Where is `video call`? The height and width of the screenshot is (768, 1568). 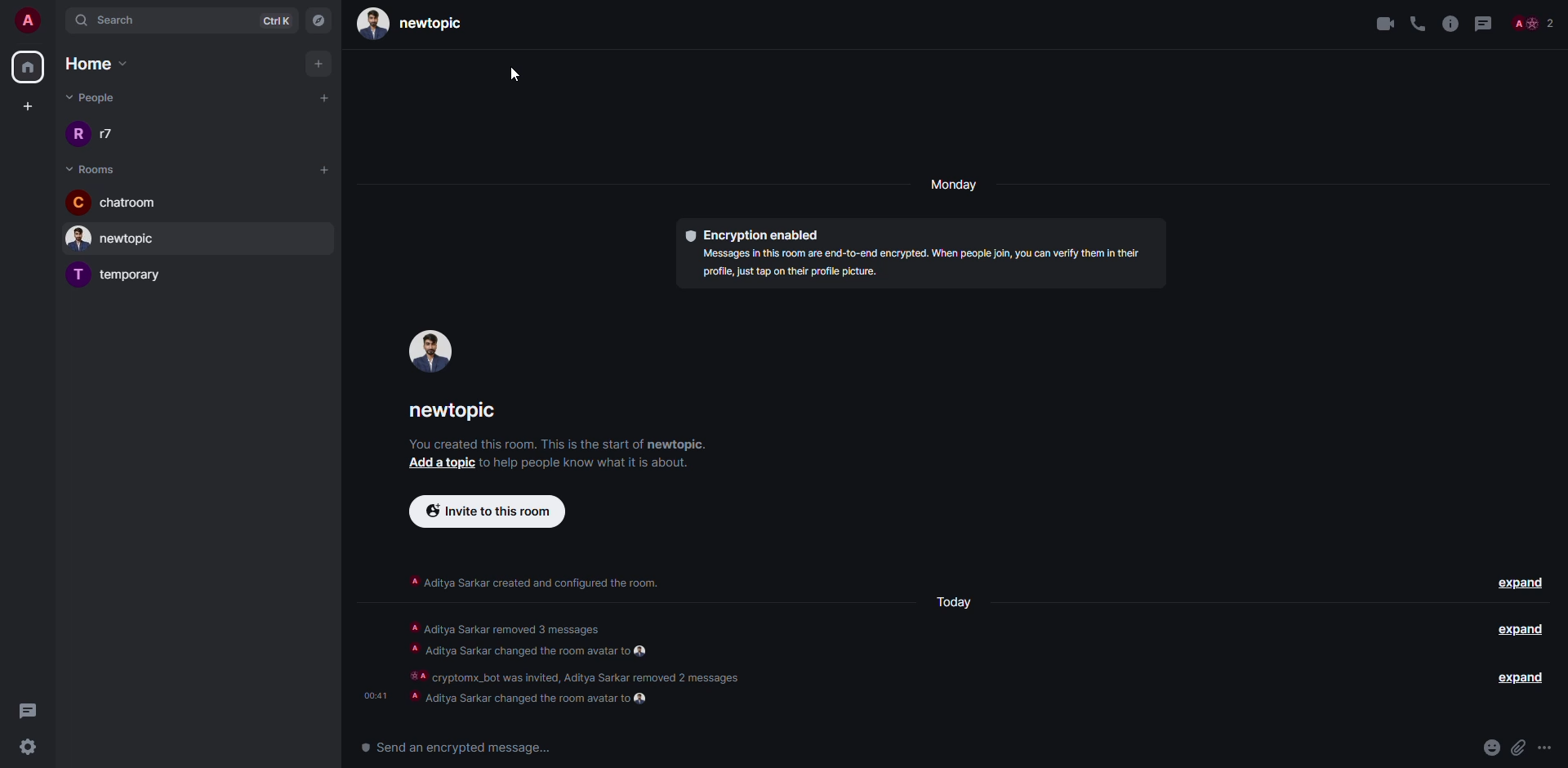 video call is located at coordinates (1380, 22).